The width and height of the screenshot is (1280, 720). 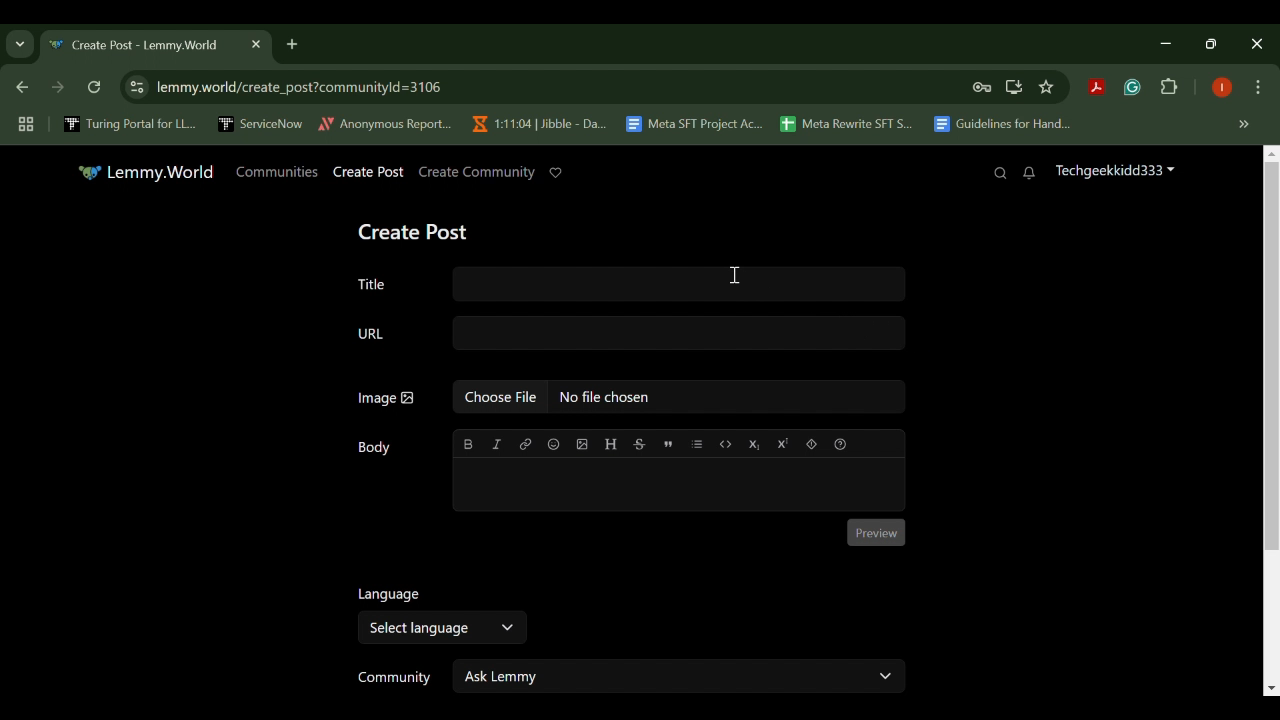 What do you see at coordinates (782, 443) in the screenshot?
I see `Superscript` at bounding box center [782, 443].